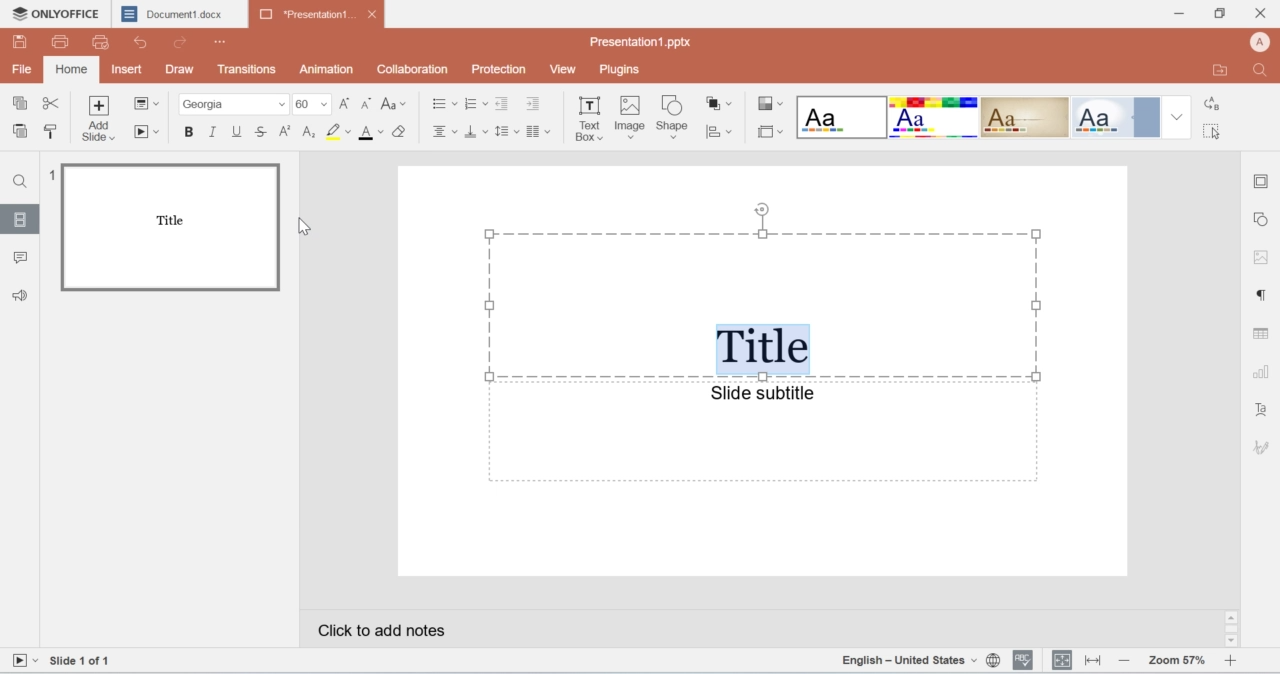  I want to click on paragraph settings, so click(1259, 295).